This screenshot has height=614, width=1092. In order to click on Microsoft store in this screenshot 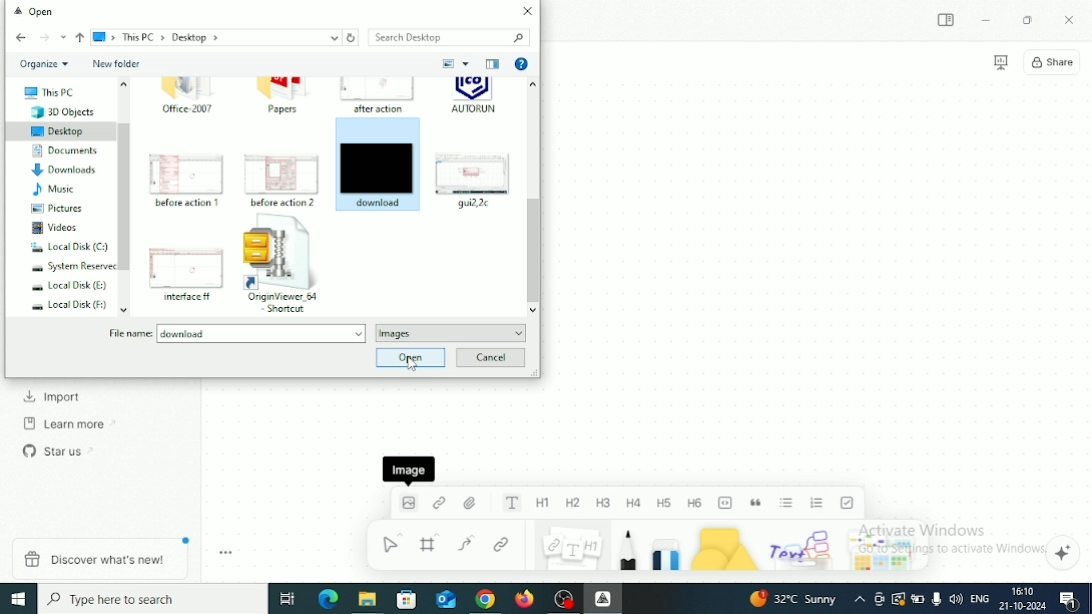, I will do `click(407, 599)`.